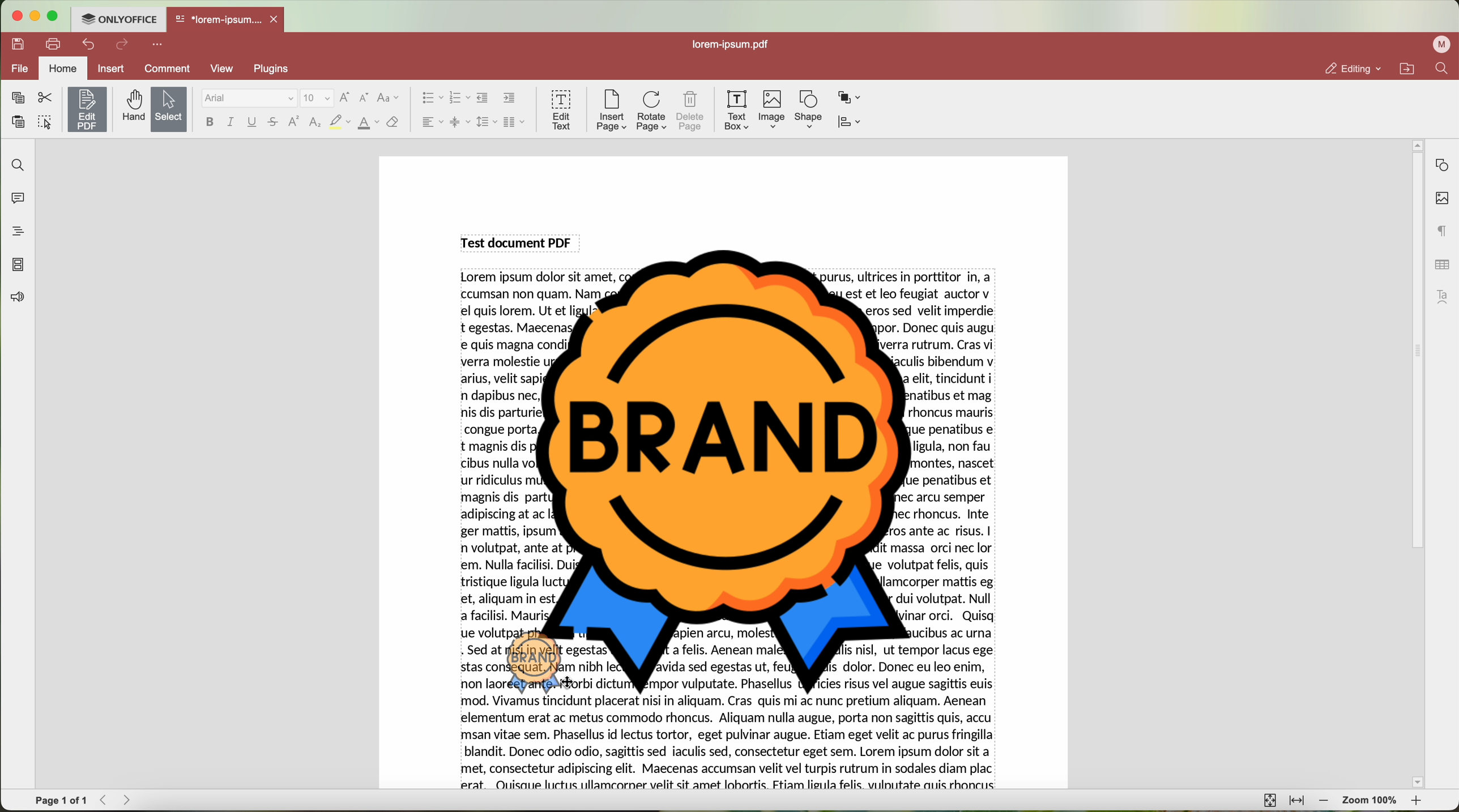  Describe the element at coordinates (1411, 464) in the screenshot. I see `scroll bar` at that location.